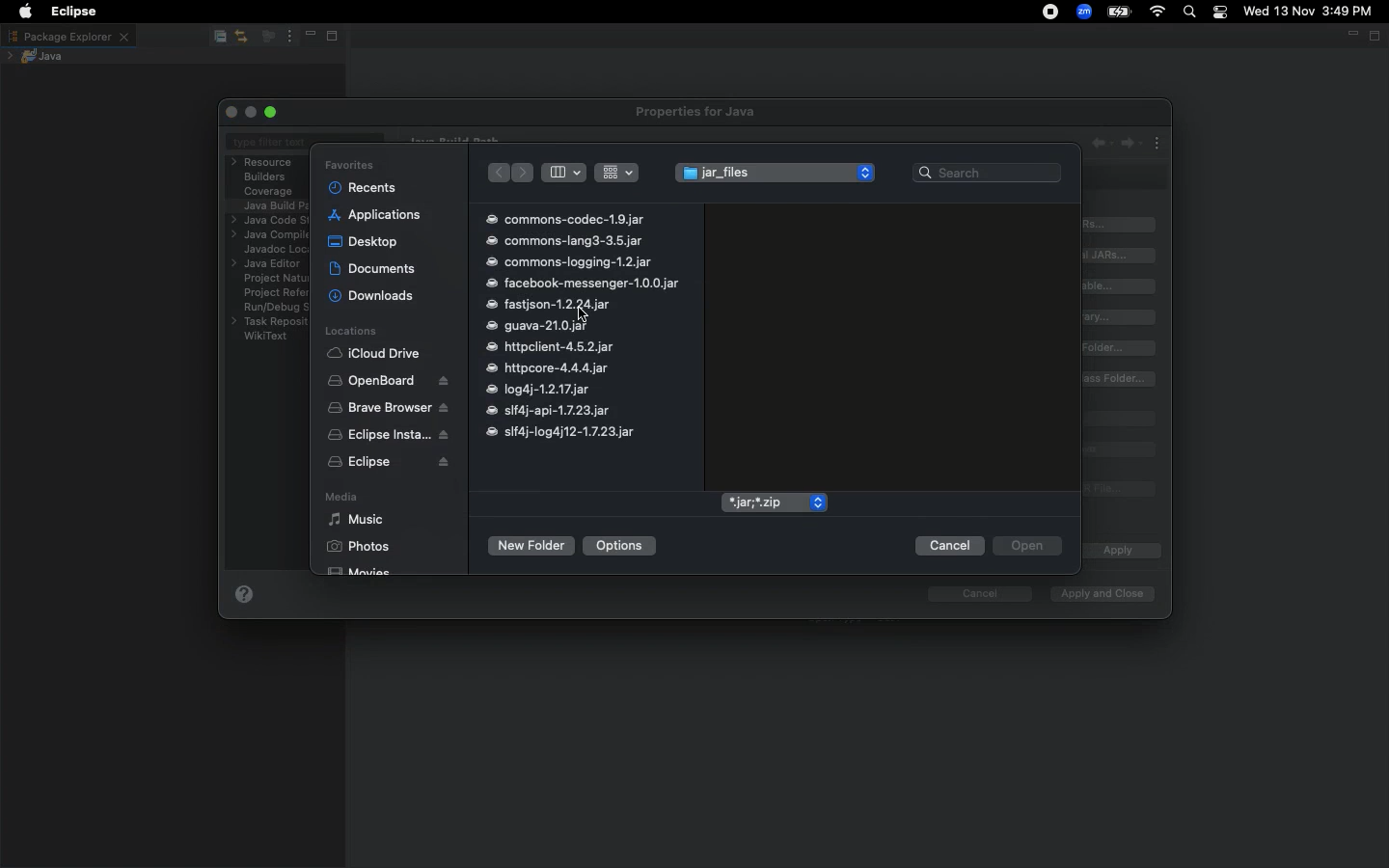  I want to click on Add external JAR, so click(1120, 255).